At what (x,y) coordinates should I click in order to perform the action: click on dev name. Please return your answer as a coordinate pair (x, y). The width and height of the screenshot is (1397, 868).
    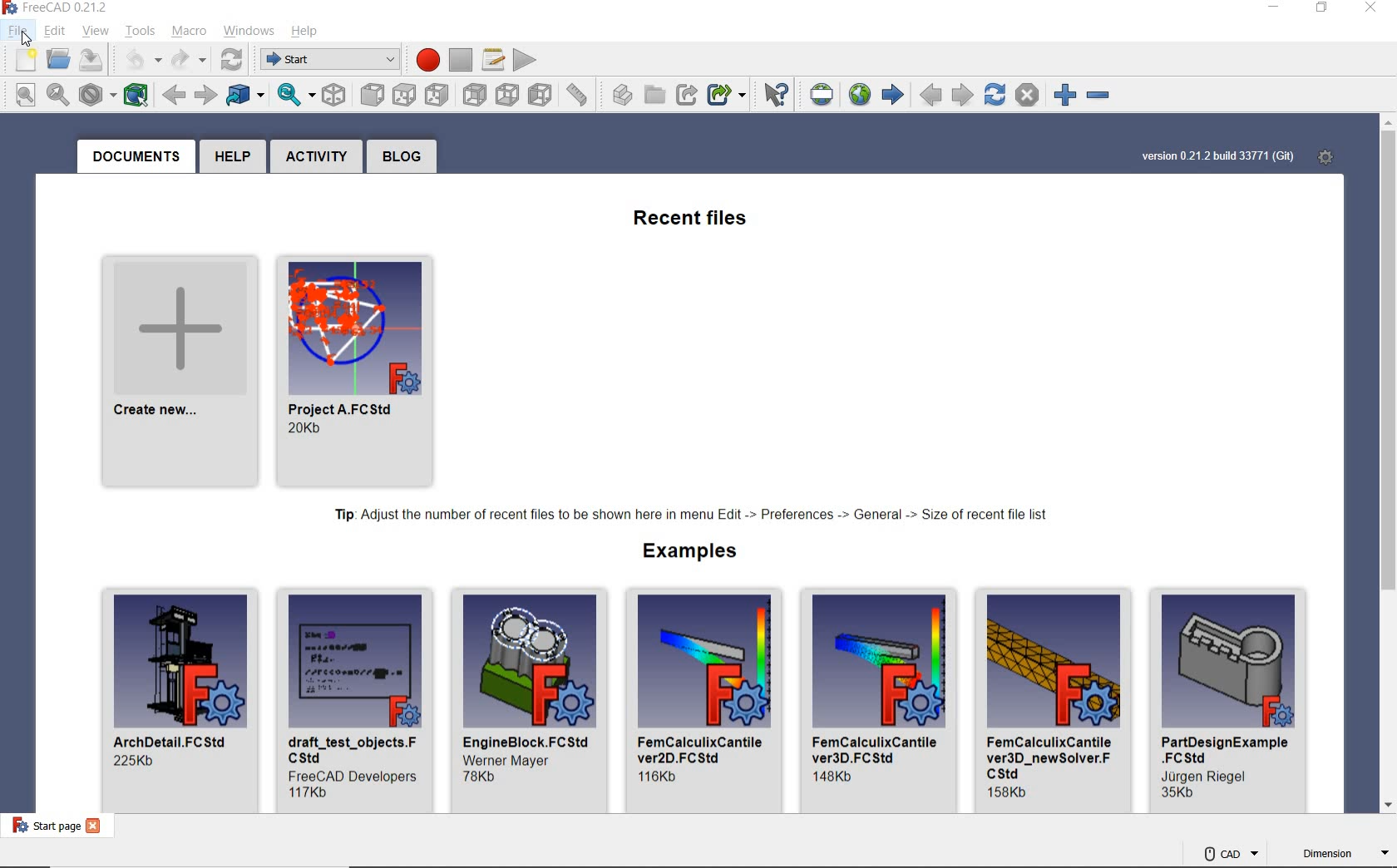
    Looking at the image, I should click on (513, 760).